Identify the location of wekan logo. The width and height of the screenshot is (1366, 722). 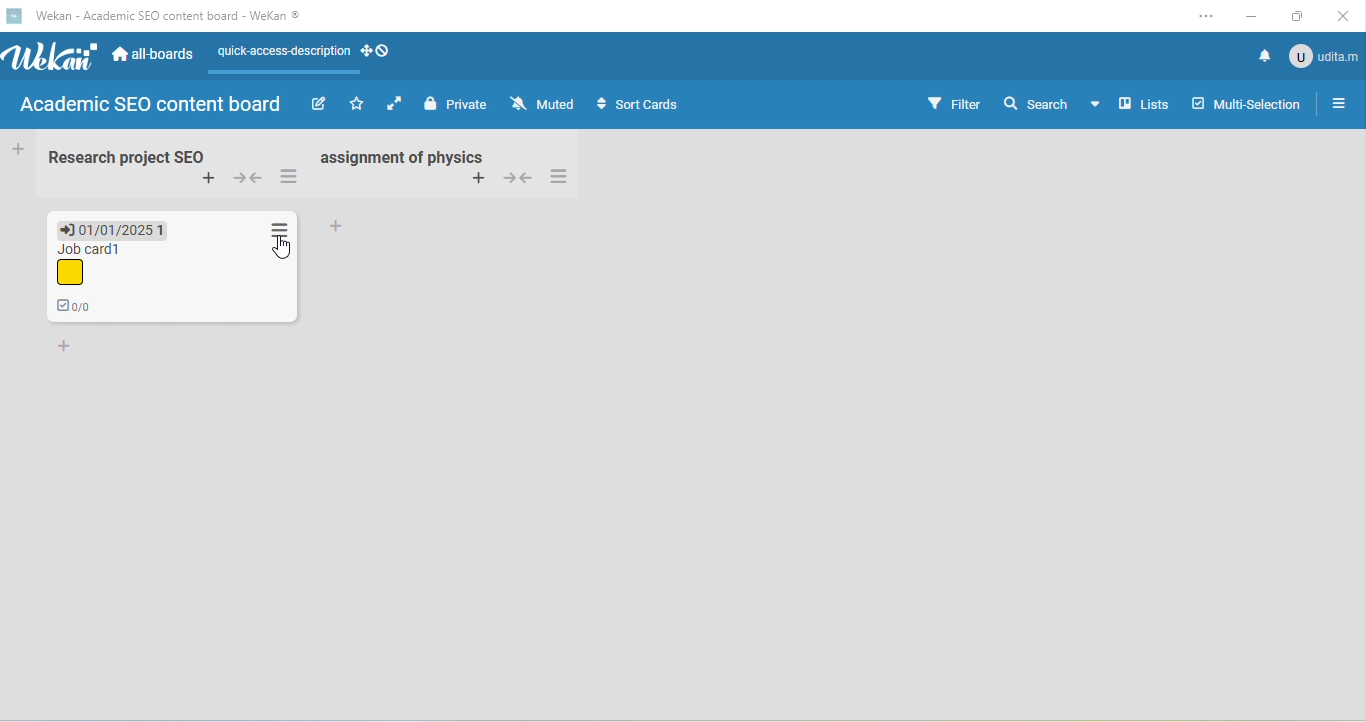
(15, 15).